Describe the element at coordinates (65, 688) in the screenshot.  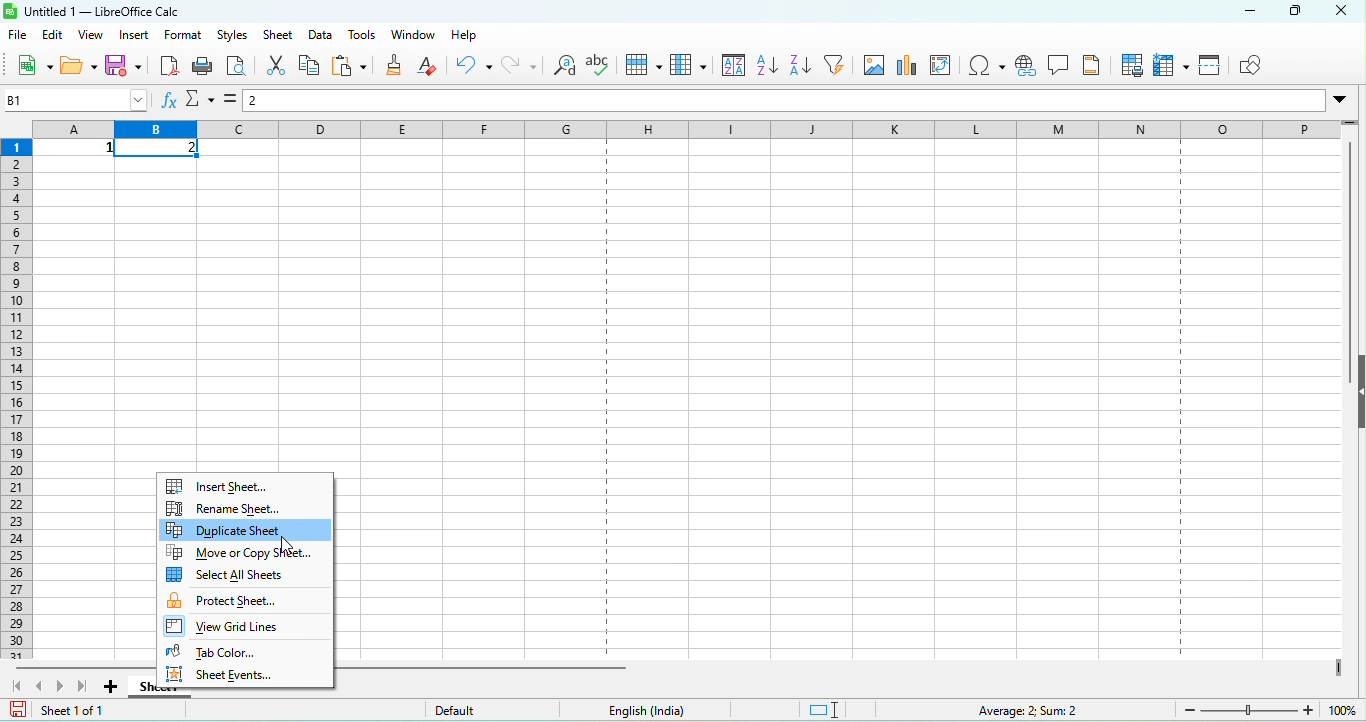
I see `scroll to next sheet` at that location.